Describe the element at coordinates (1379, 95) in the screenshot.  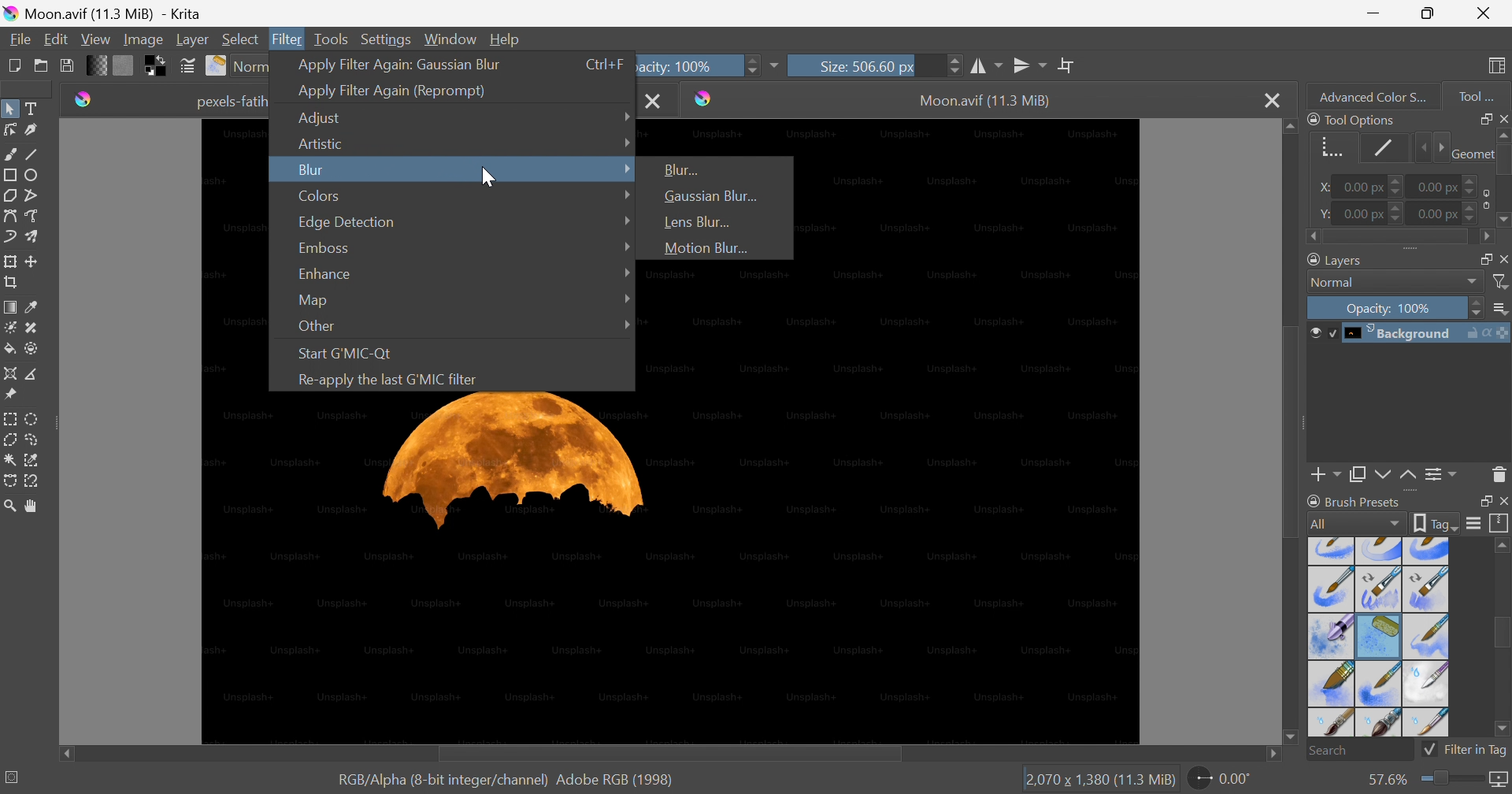
I see `Advanced color` at that location.